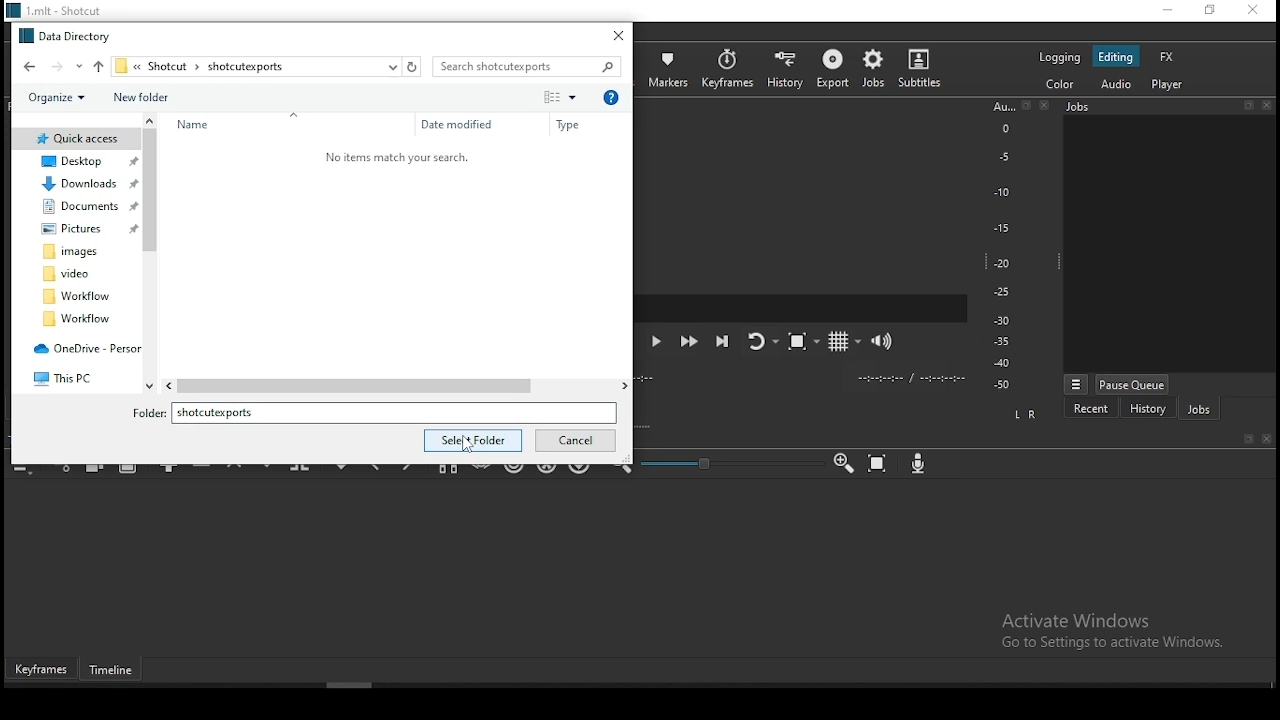 This screenshot has width=1280, height=720. I want to click on forward, so click(65, 65).